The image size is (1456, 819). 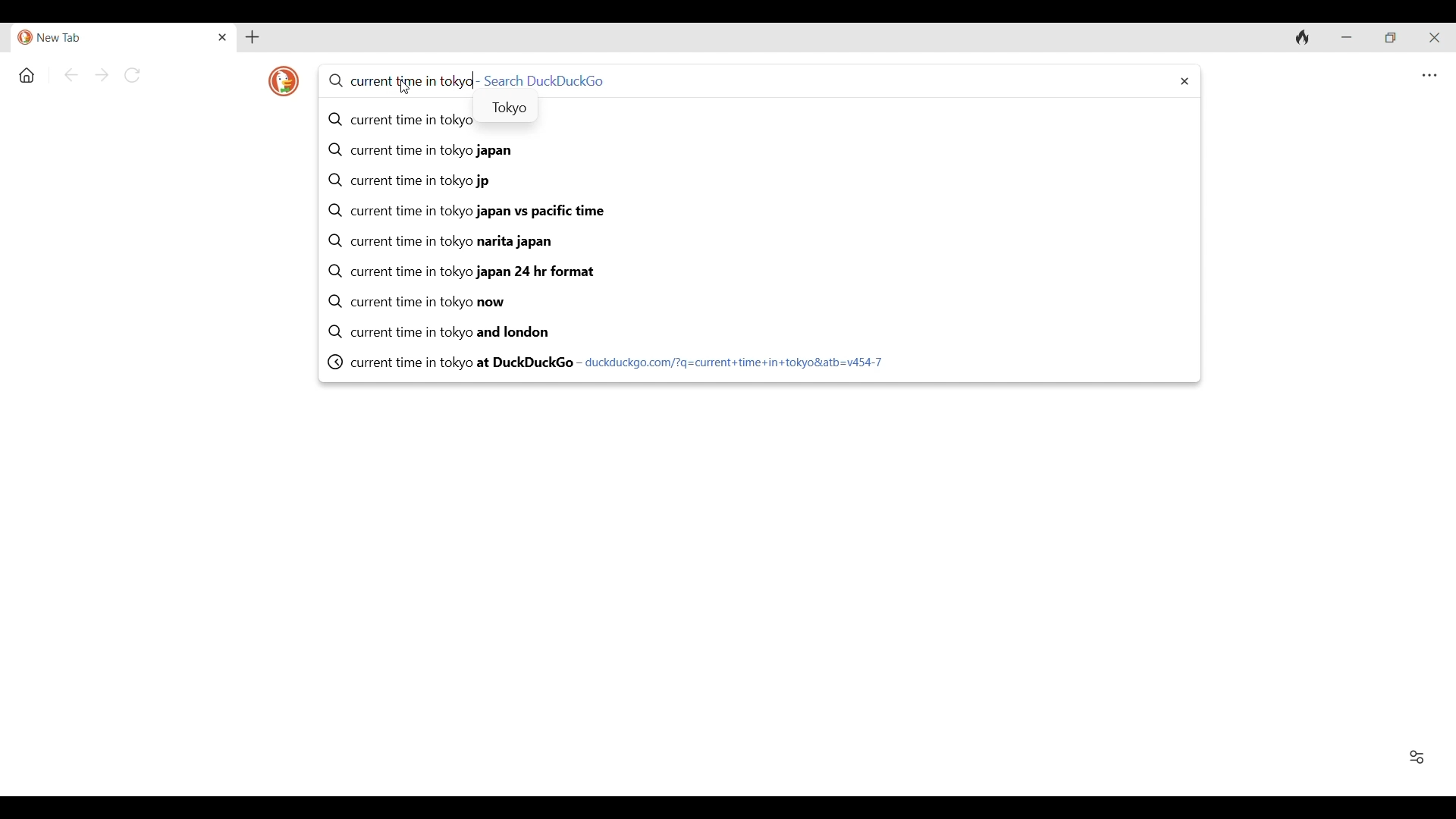 What do you see at coordinates (102, 74) in the screenshot?
I see `Go forward` at bounding box center [102, 74].